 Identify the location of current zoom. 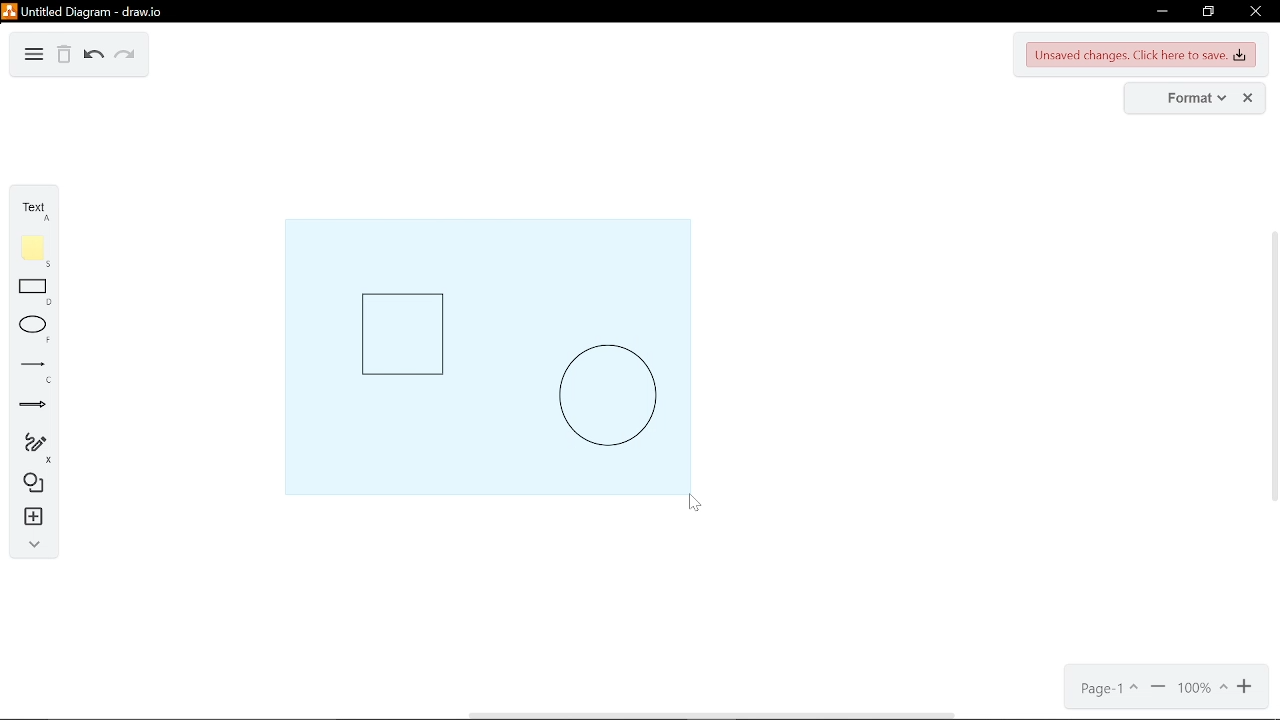
(1202, 690).